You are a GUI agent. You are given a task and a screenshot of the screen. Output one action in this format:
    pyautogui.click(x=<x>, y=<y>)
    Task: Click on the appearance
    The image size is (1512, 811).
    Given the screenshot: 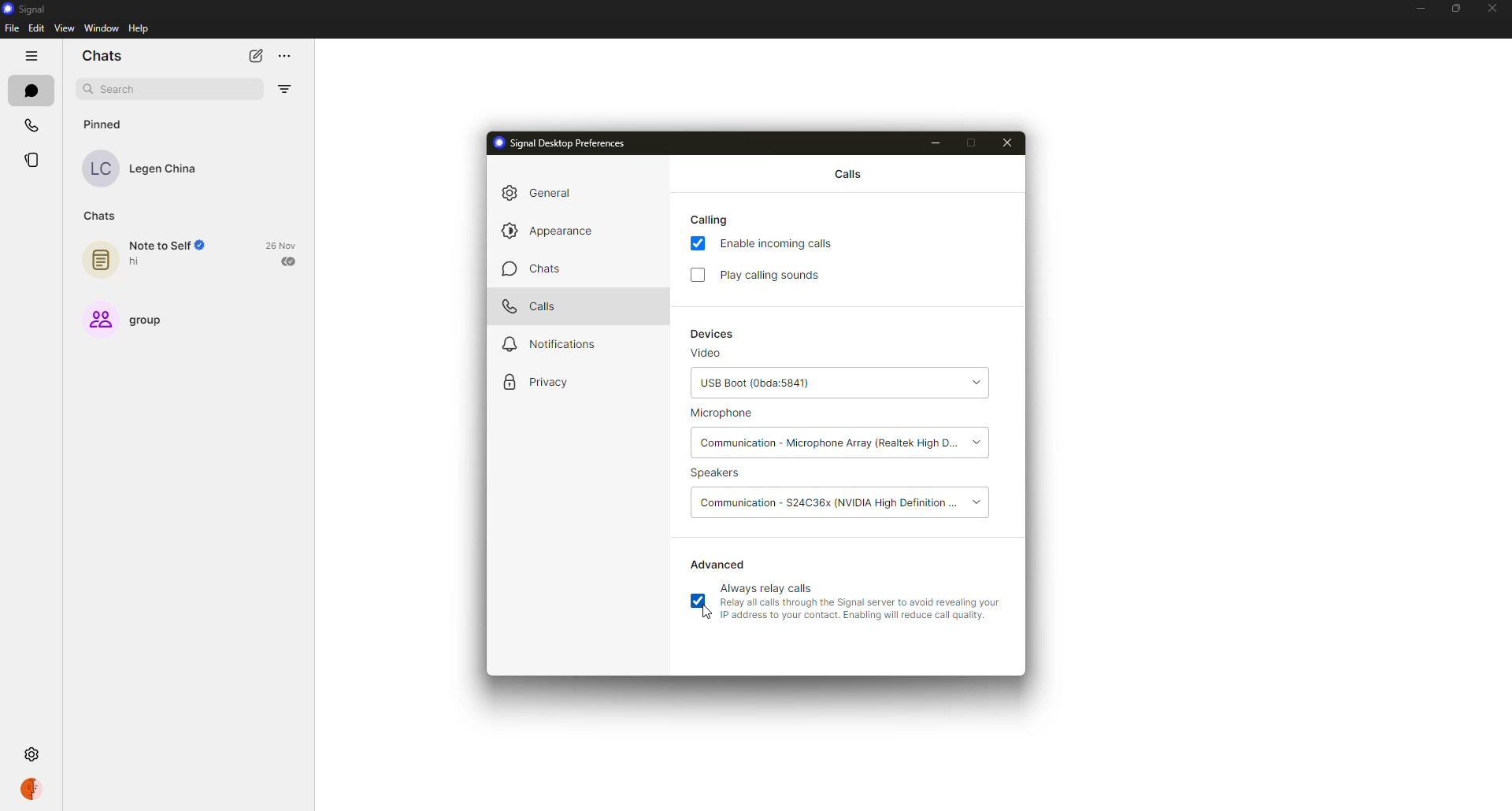 What is the action you would take?
    pyautogui.click(x=550, y=229)
    